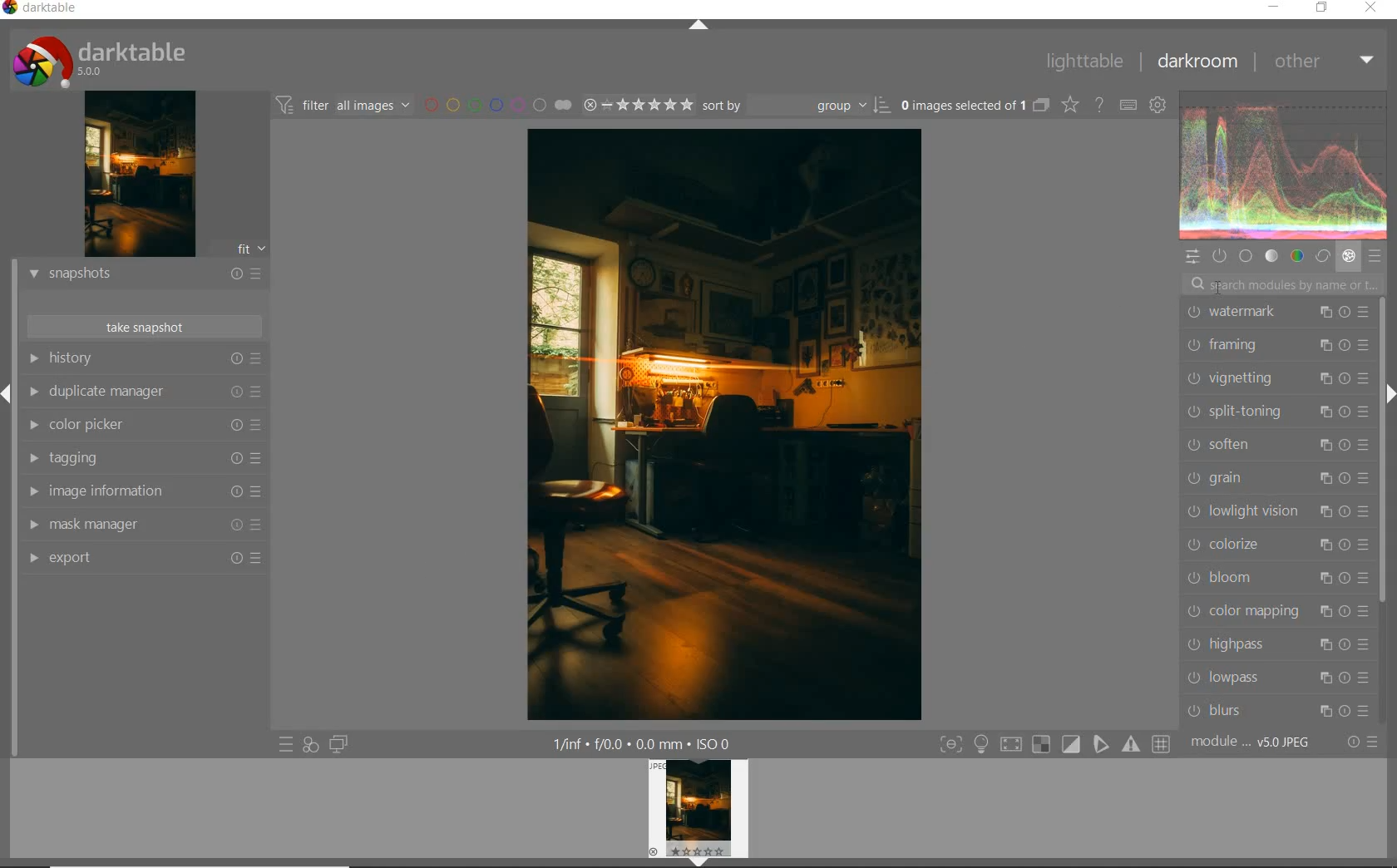 This screenshot has height=868, width=1397. Describe the element at coordinates (1362, 742) in the screenshot. I see `reset or presets & preferences` at that location.